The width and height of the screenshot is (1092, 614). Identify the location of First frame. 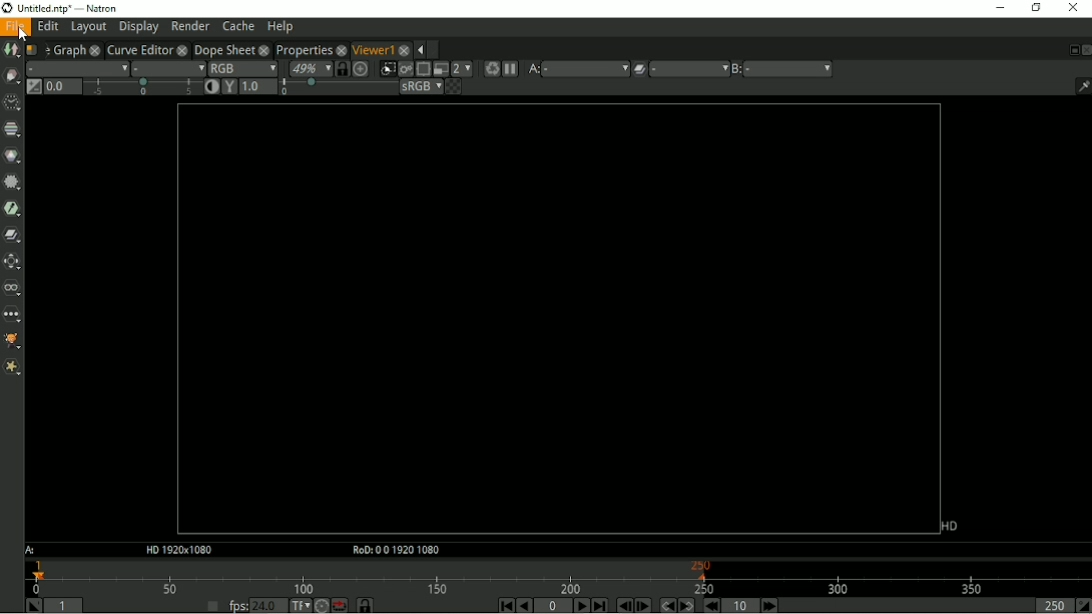
(503, 605).